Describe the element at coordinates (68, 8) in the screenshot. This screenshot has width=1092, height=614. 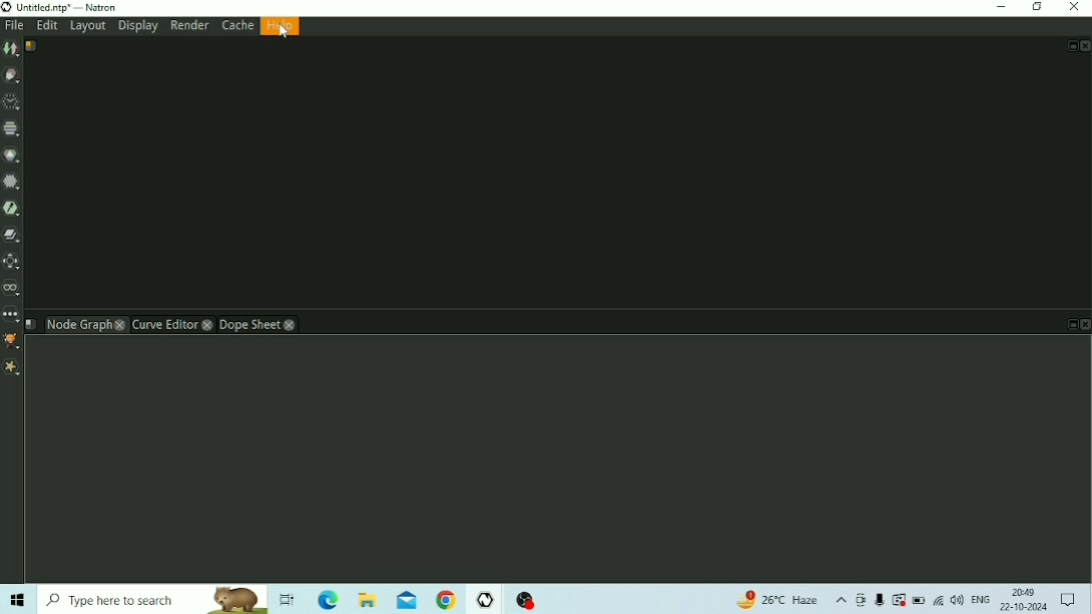
I see `Title` at that location.